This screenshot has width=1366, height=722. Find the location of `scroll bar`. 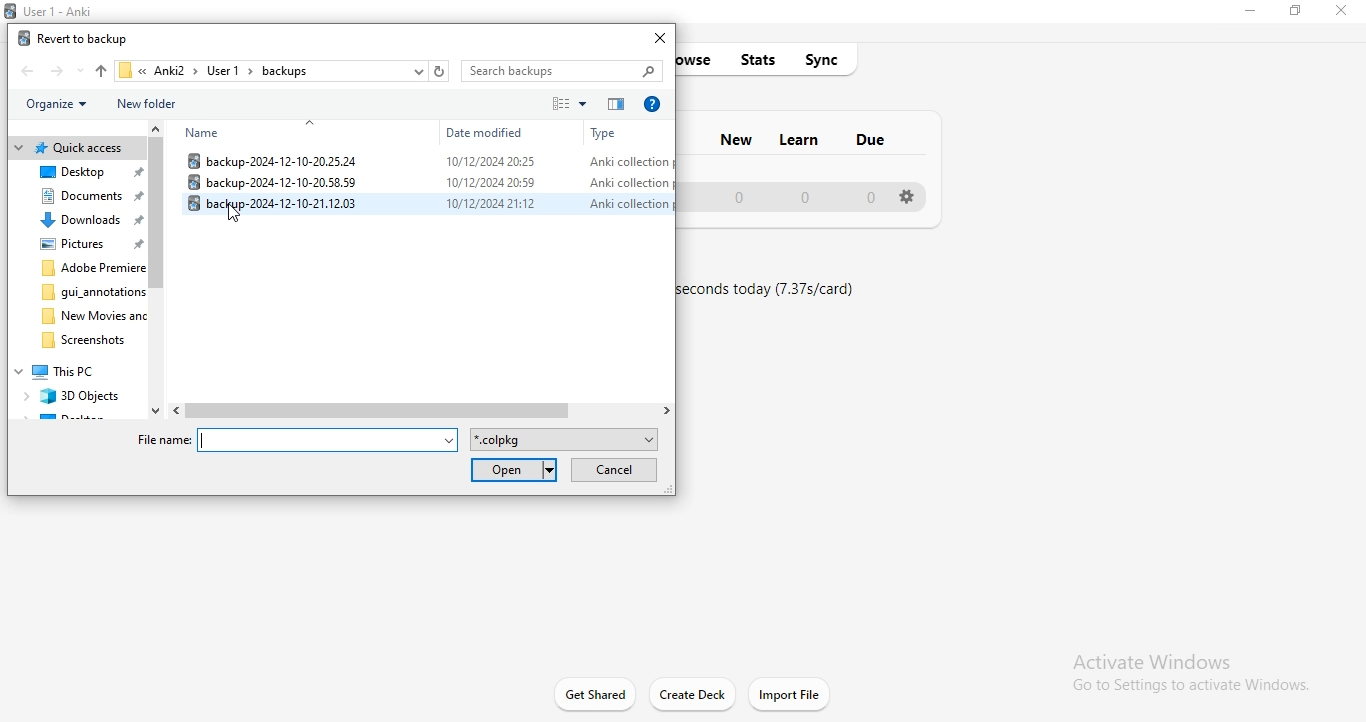

scroll bar is located at coordinates (158, 270).